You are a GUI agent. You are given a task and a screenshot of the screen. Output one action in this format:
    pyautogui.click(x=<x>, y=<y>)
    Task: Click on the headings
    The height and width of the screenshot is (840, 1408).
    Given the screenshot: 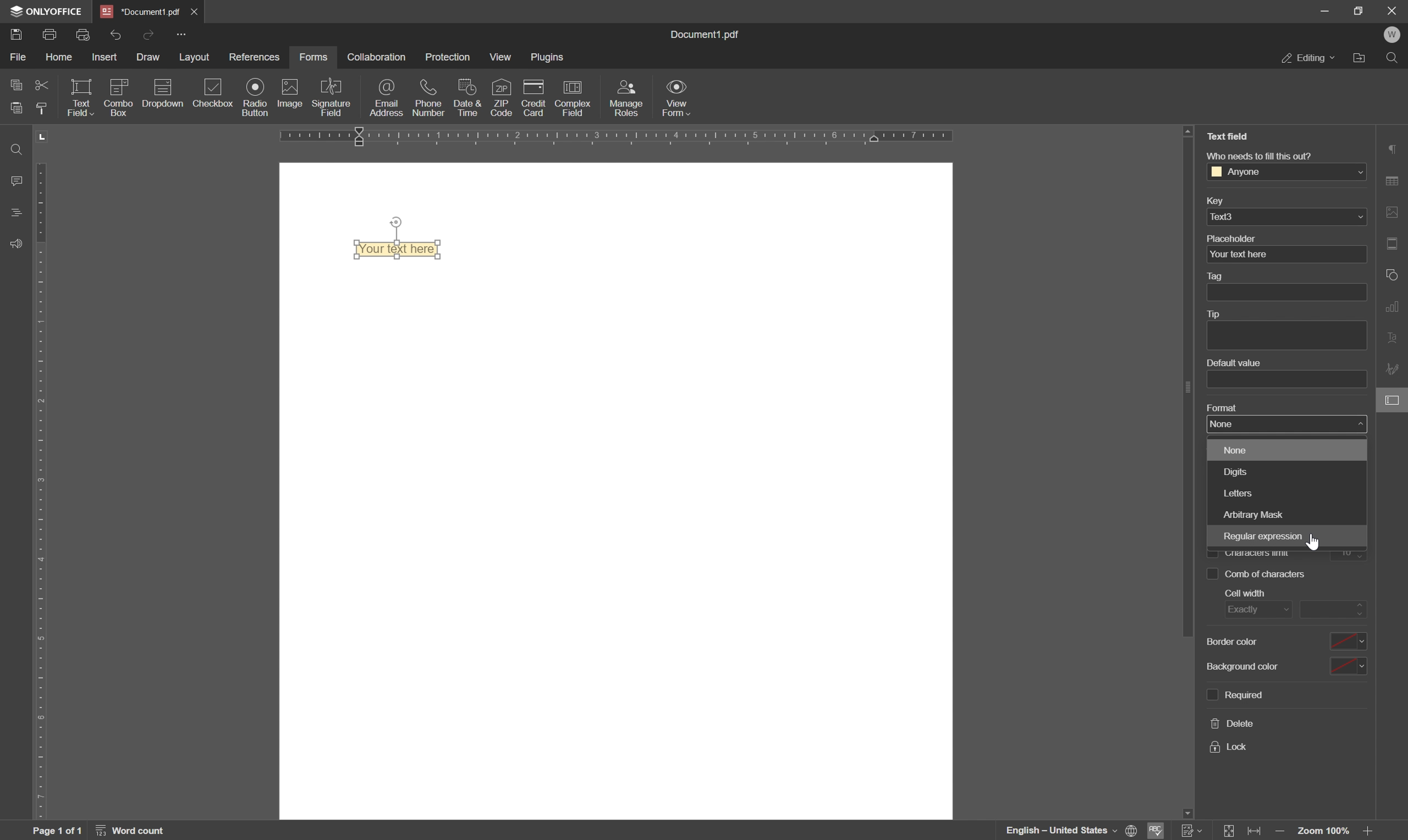 What is the action you would take?
    pyautogui.click(x=13, y=213)
    